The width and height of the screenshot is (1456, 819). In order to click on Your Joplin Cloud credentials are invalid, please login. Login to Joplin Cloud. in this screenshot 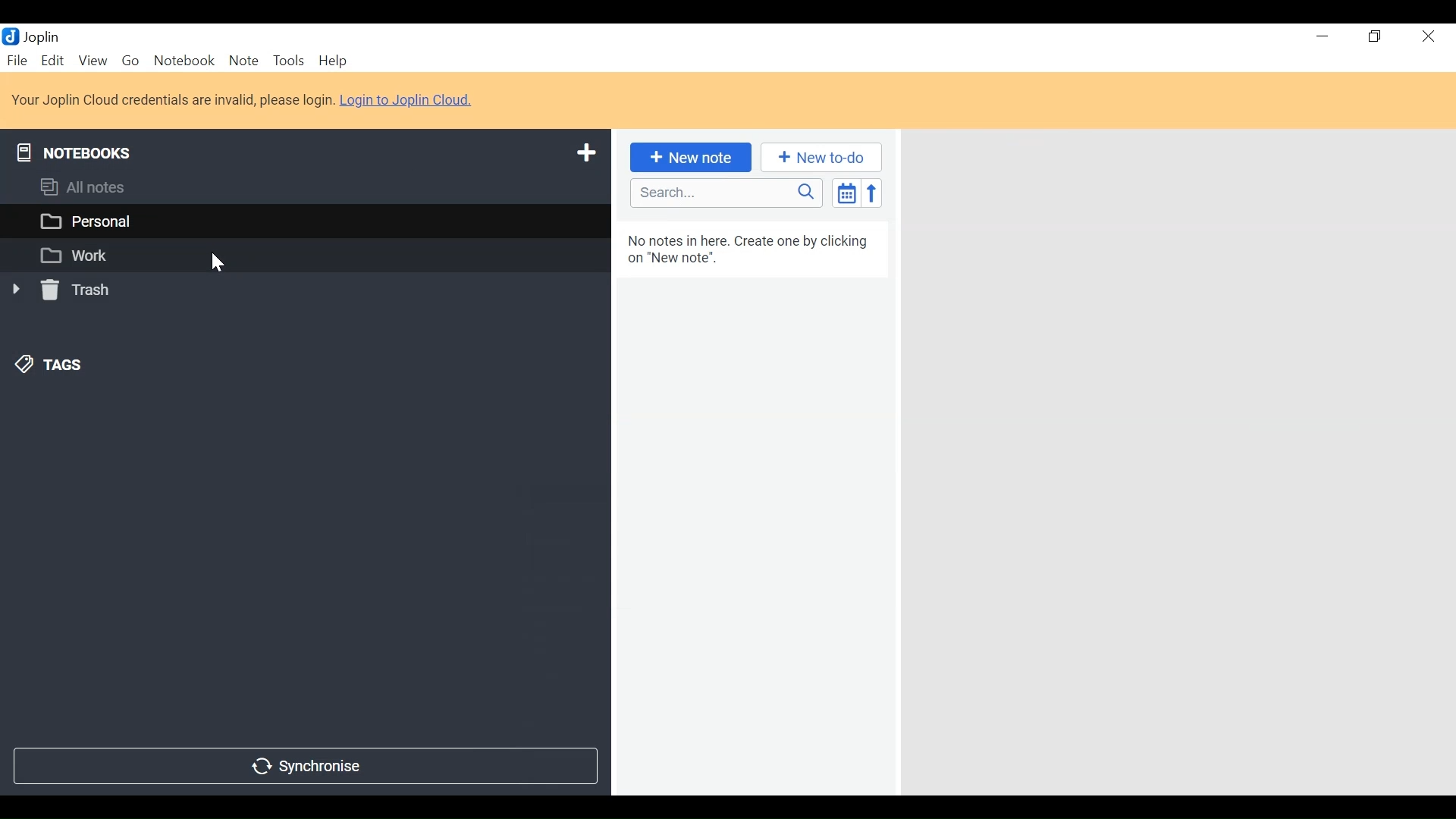, I will do `click(247, 99)`.